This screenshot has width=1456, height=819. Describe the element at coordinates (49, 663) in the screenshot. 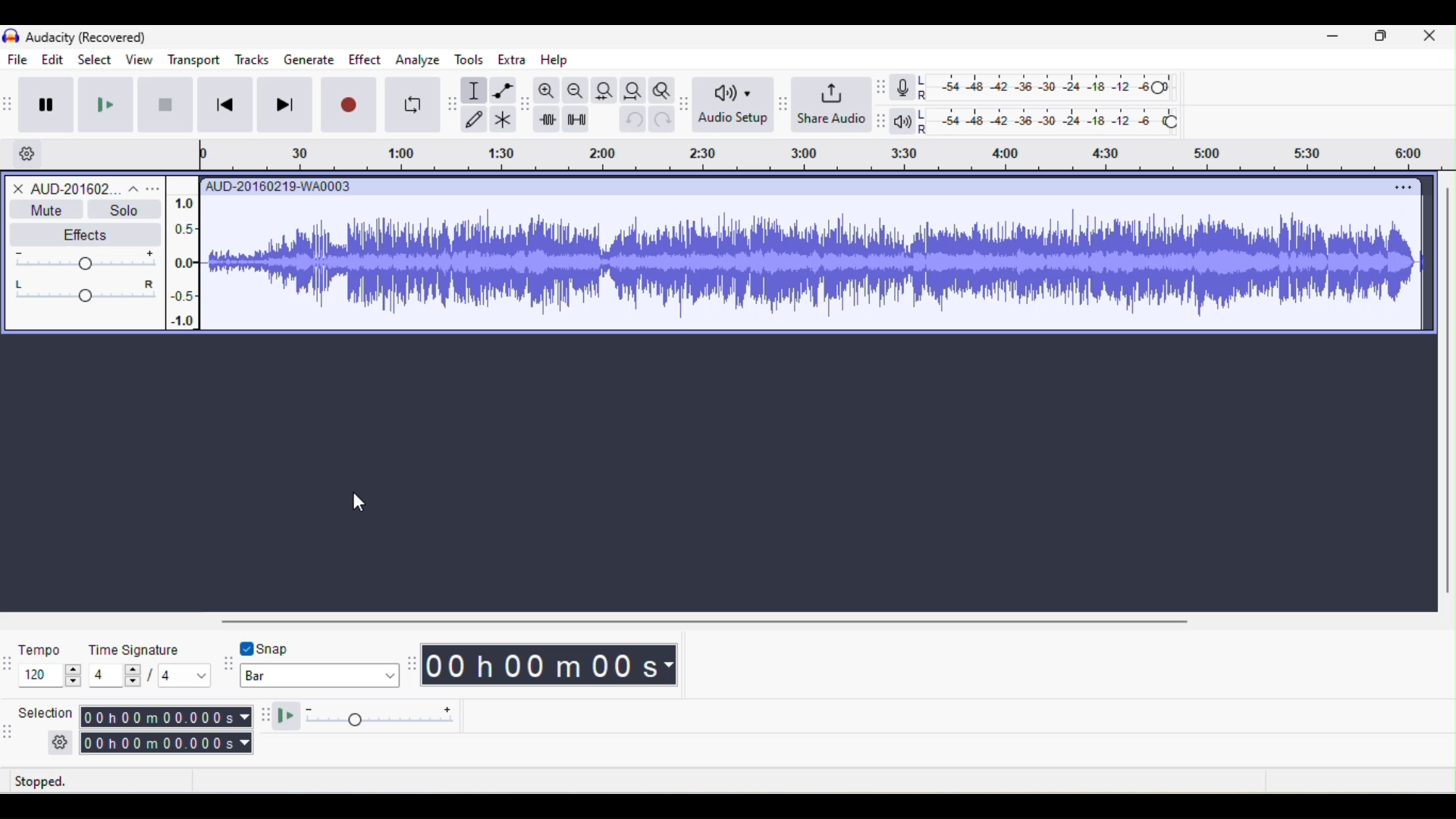

I see `tempo` at that location.